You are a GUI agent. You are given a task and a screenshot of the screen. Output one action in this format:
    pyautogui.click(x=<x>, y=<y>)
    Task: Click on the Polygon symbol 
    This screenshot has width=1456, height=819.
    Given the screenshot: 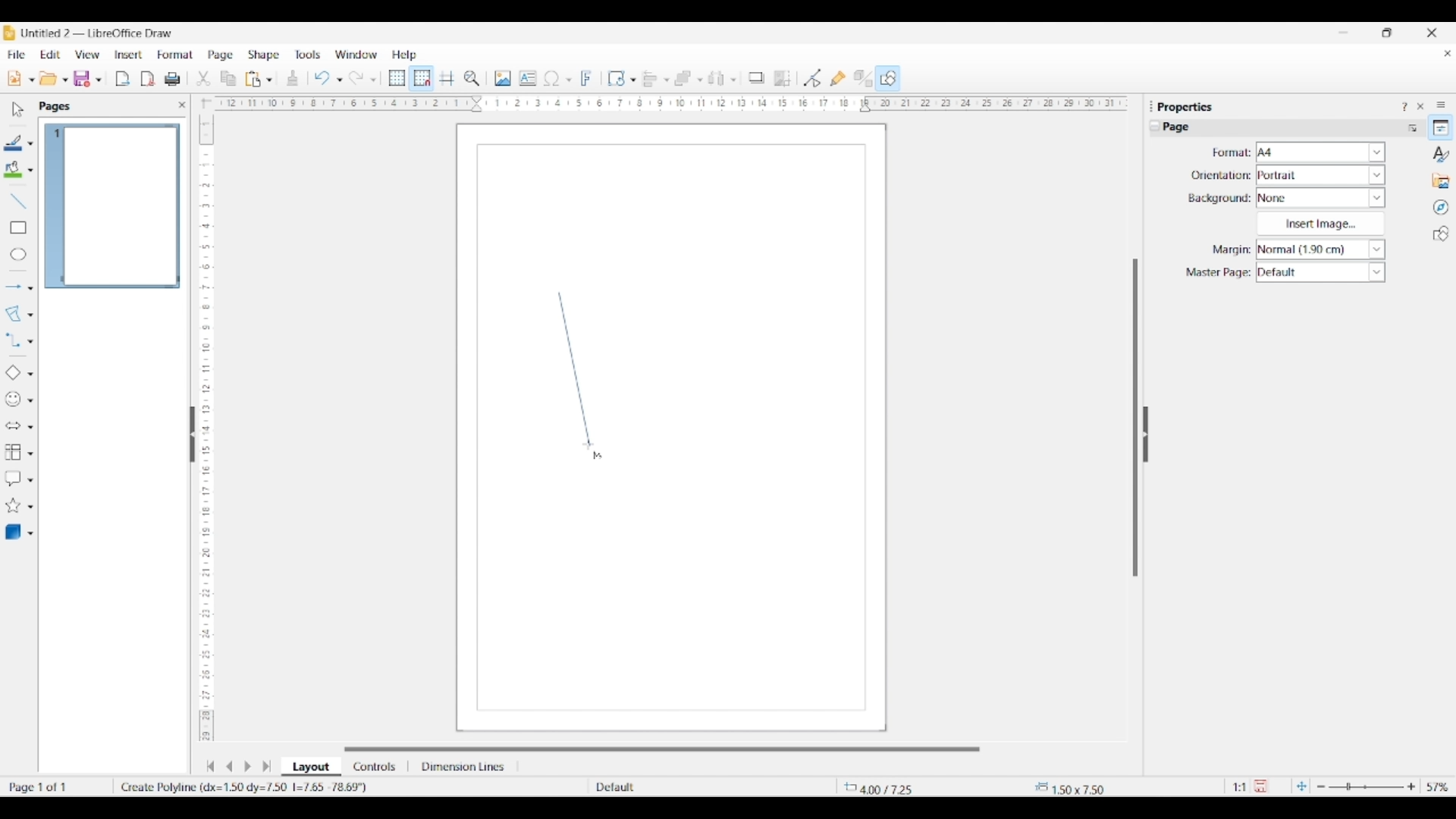 What is the action you would take?
    pyautogui.click(x=598, y=457)
    